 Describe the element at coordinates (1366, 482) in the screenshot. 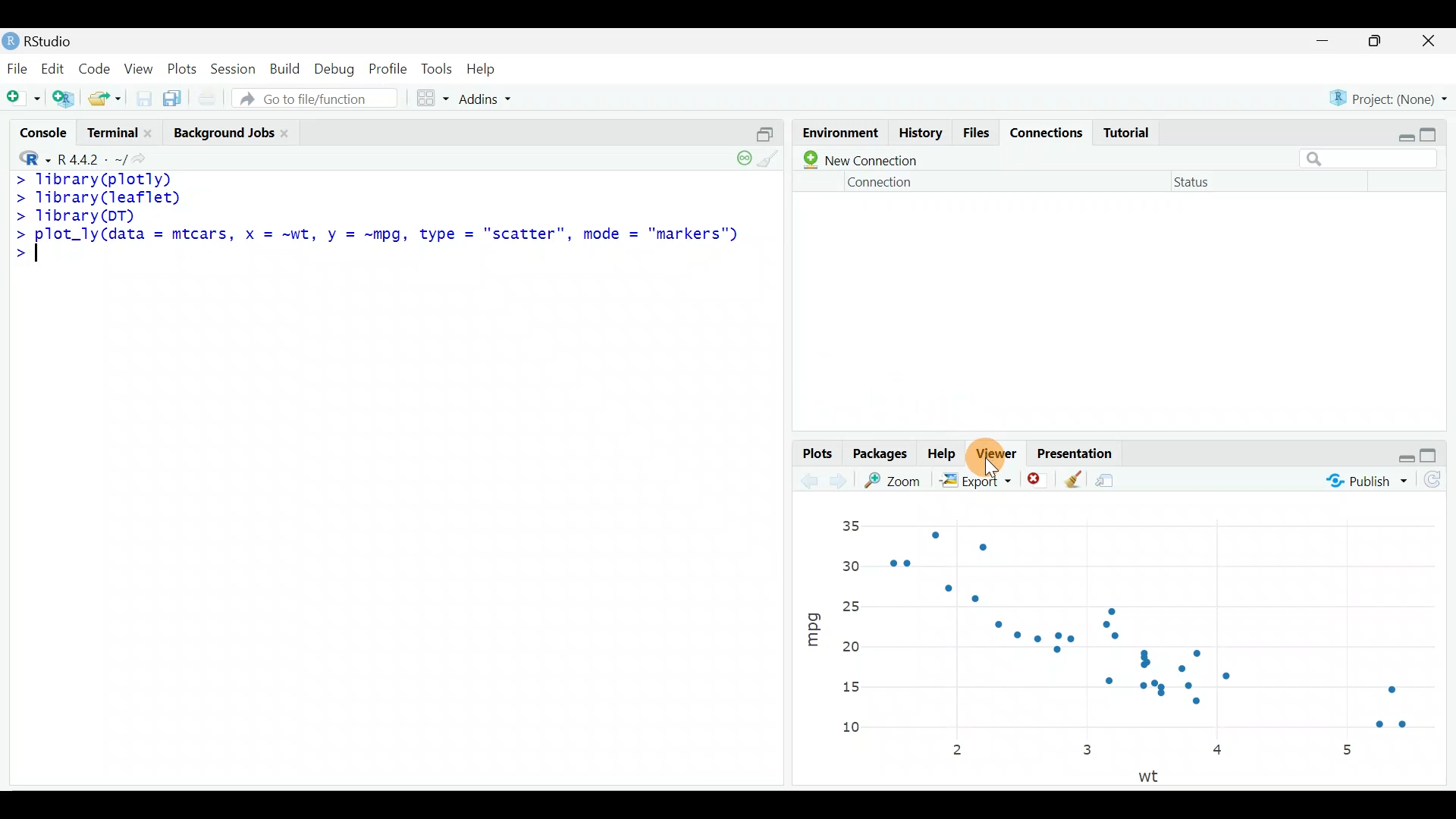

I see `Publish` at that location.